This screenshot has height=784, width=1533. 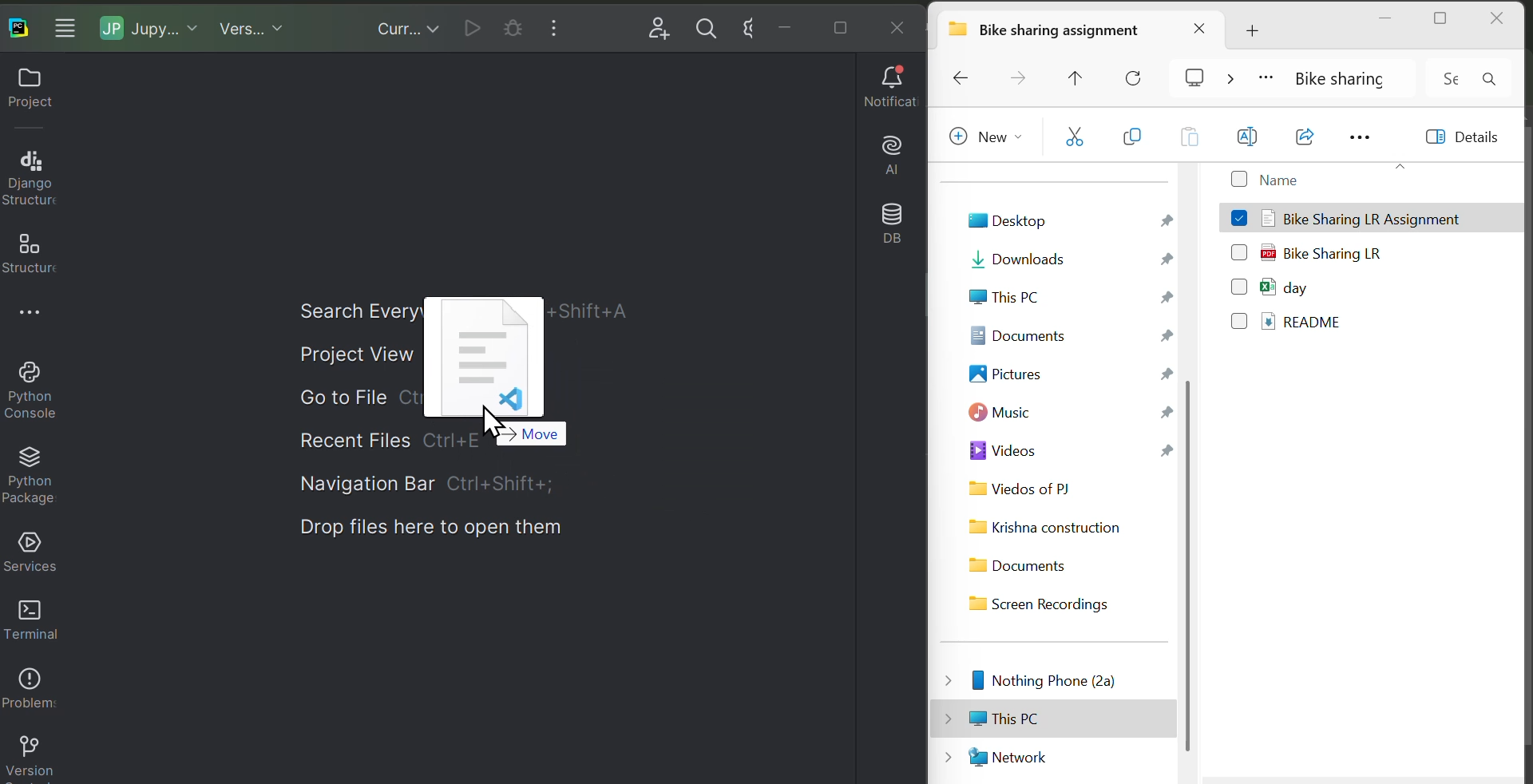 I want to click on Nothing Phone (2a), so click(x=1040, y=679).